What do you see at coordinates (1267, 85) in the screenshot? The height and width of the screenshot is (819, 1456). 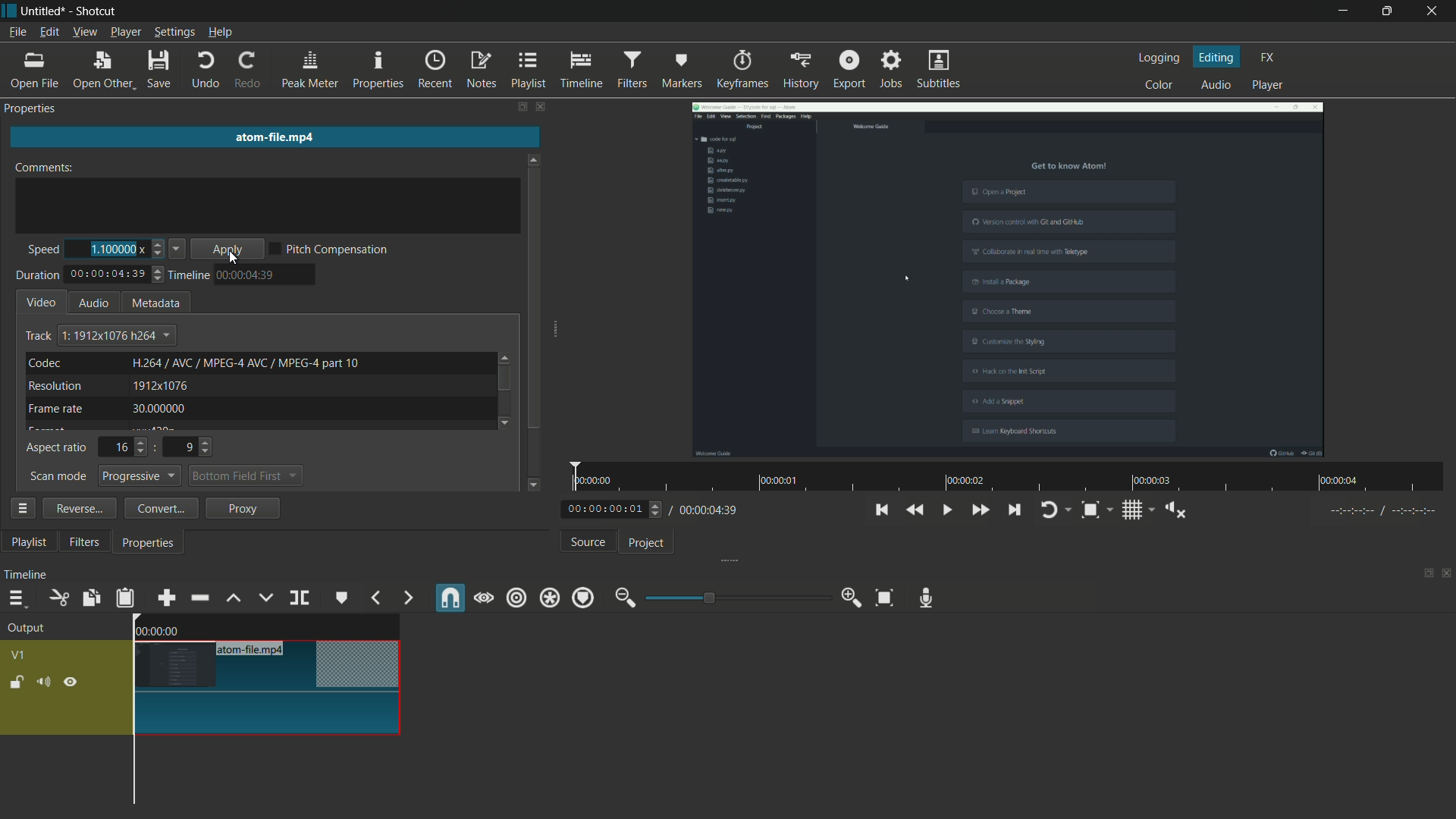 I see `player` at bounding box center [1267, 85].